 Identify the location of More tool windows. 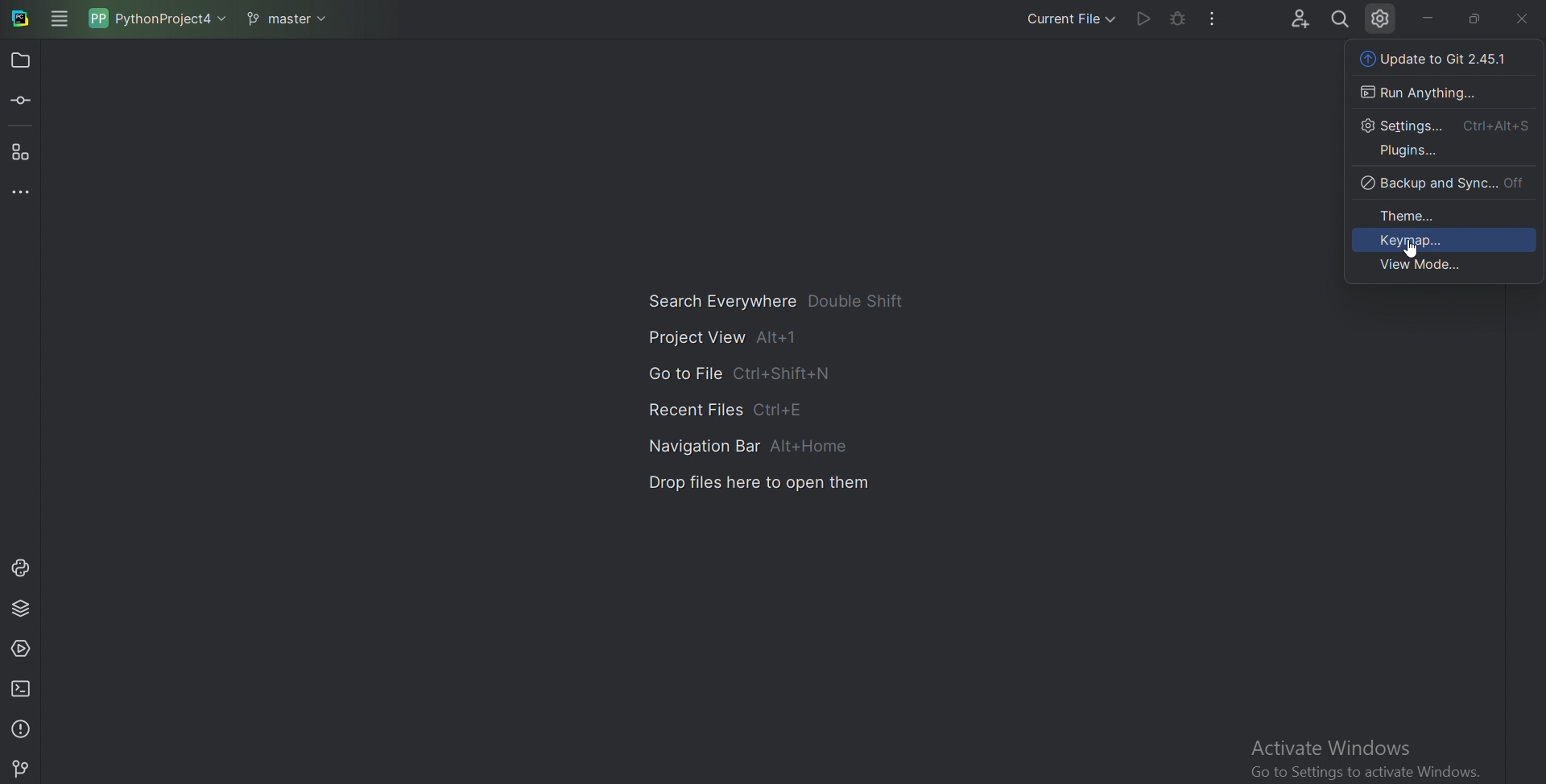
(21, 192).